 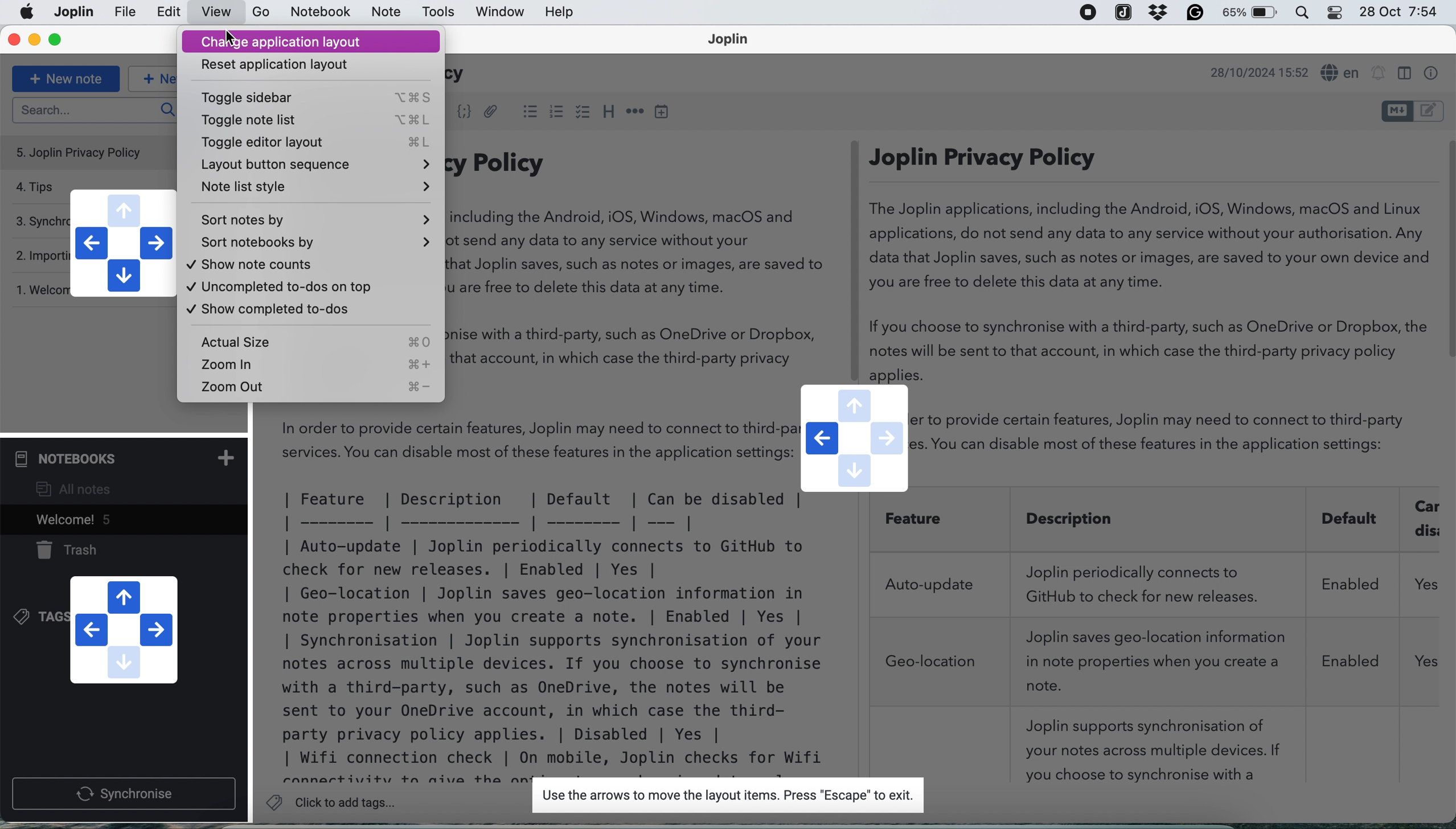 What do you see at coordinates (313, 219) in the screenshot?
I see `Sort notes by` at bounding box center [313, 219].